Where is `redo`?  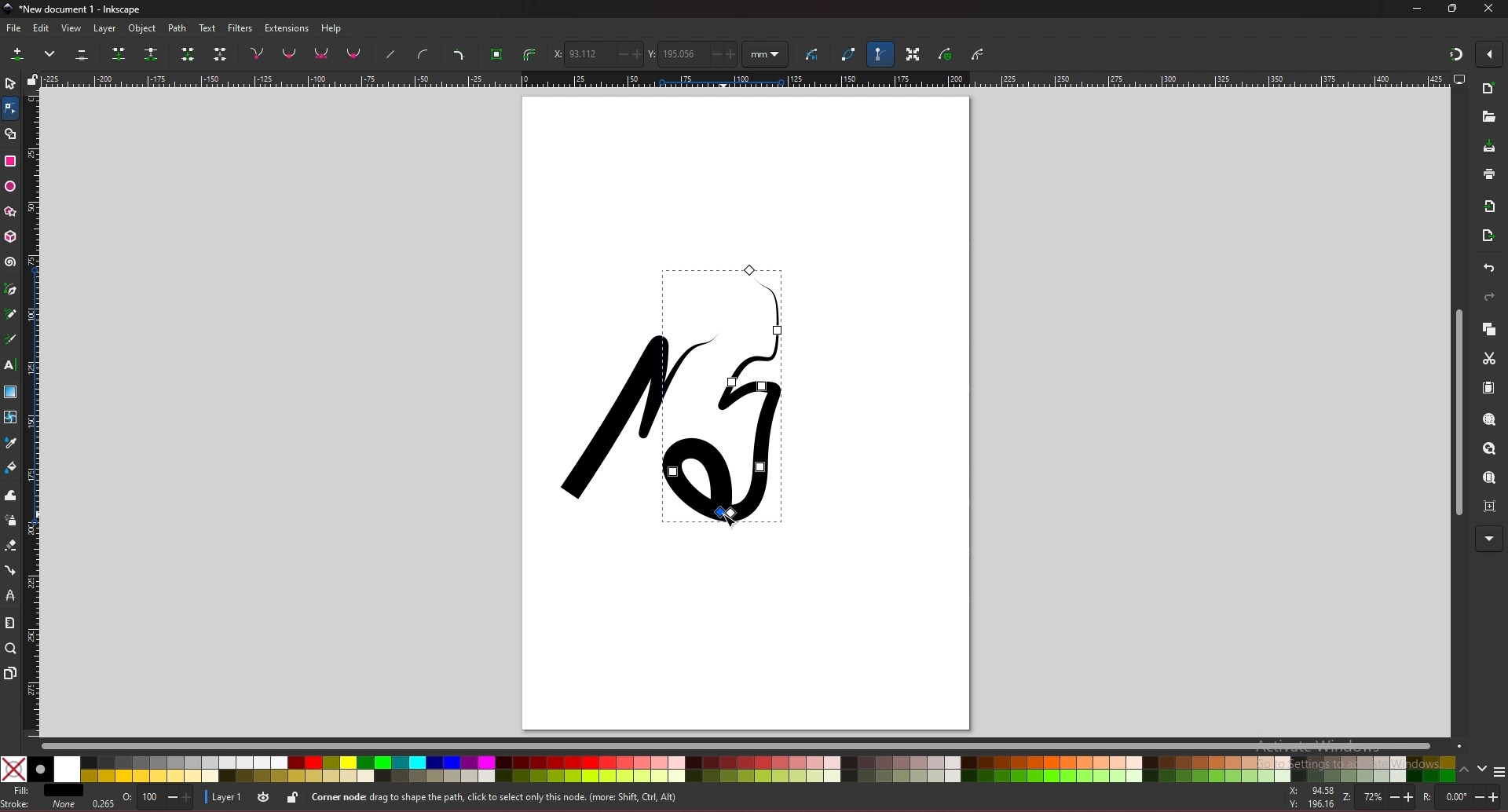 redo is located at coordinates (1489, 297).